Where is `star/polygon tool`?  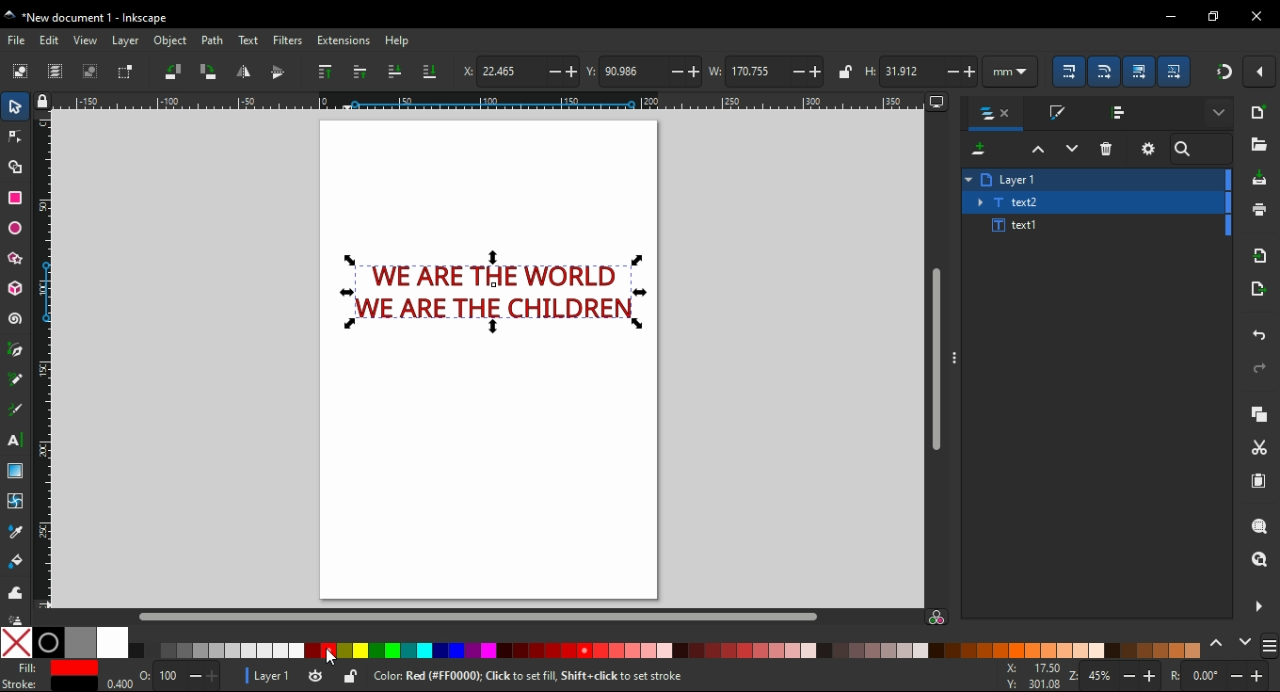 star/polygon tool is located at coordinates (14, 258).